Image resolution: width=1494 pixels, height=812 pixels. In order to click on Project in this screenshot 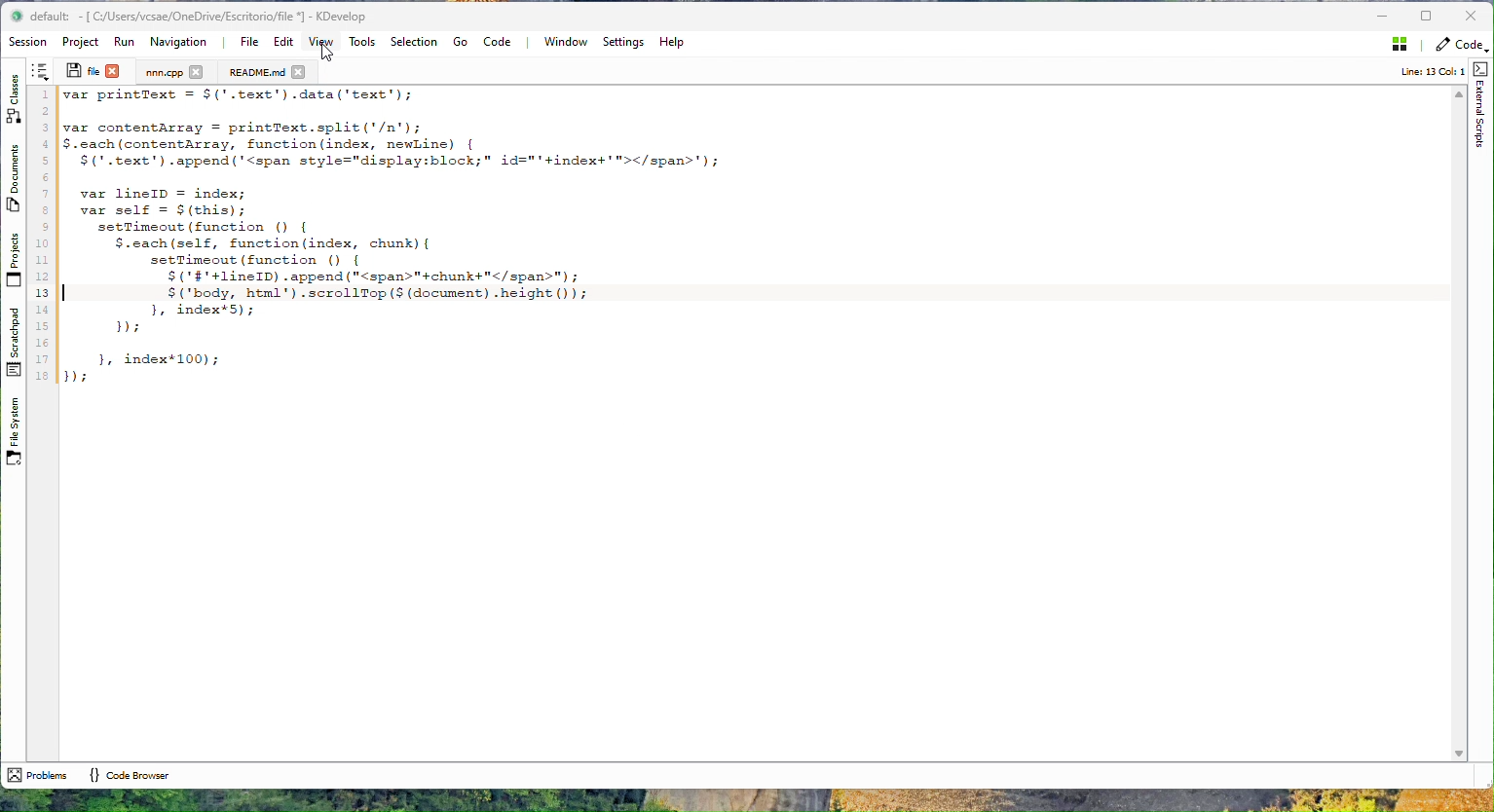, I will do `click(84, 42)`.